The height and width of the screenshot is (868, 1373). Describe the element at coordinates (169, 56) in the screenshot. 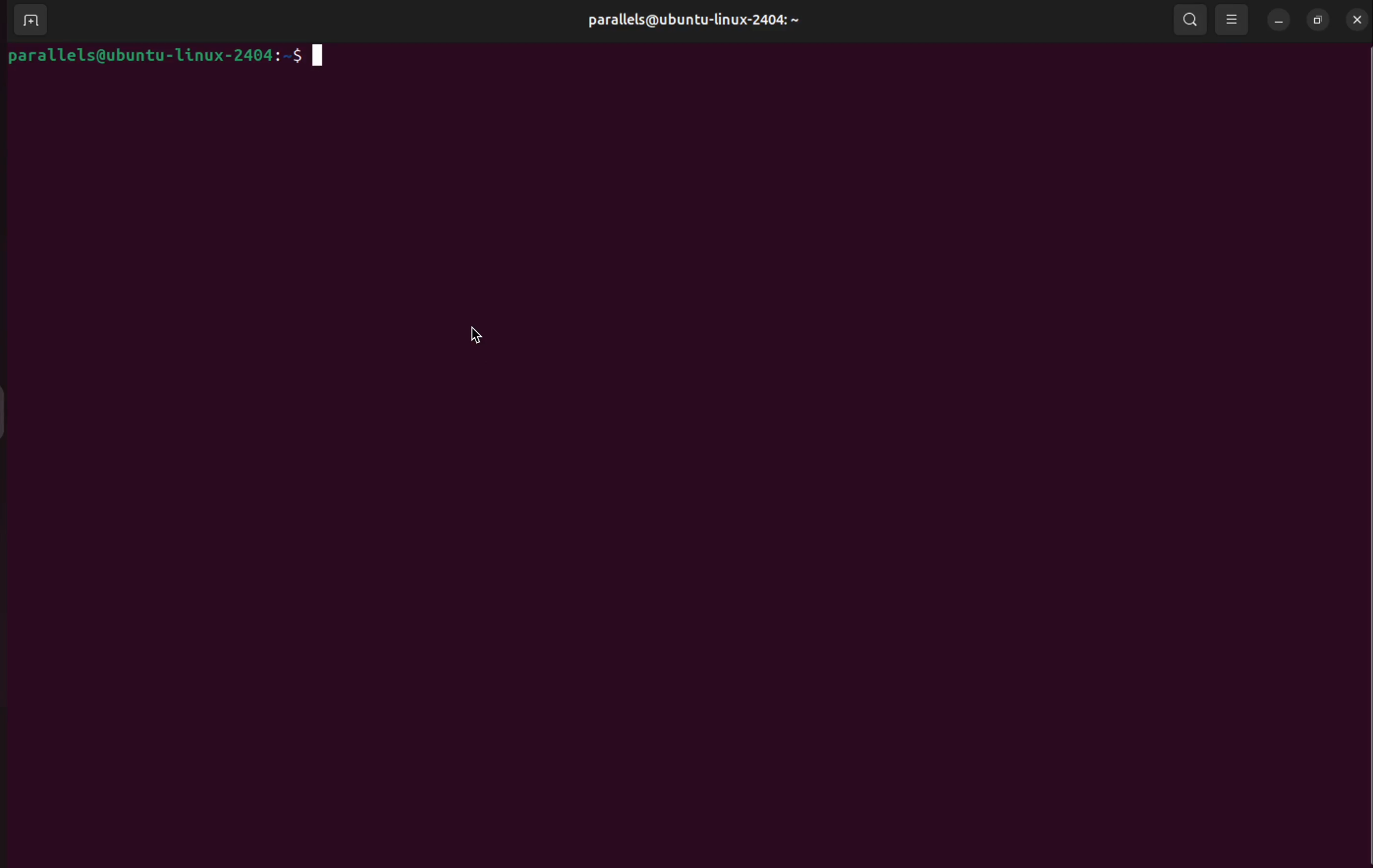

I see `parallels@ubuntu-linux-2404: ~$` at that location.